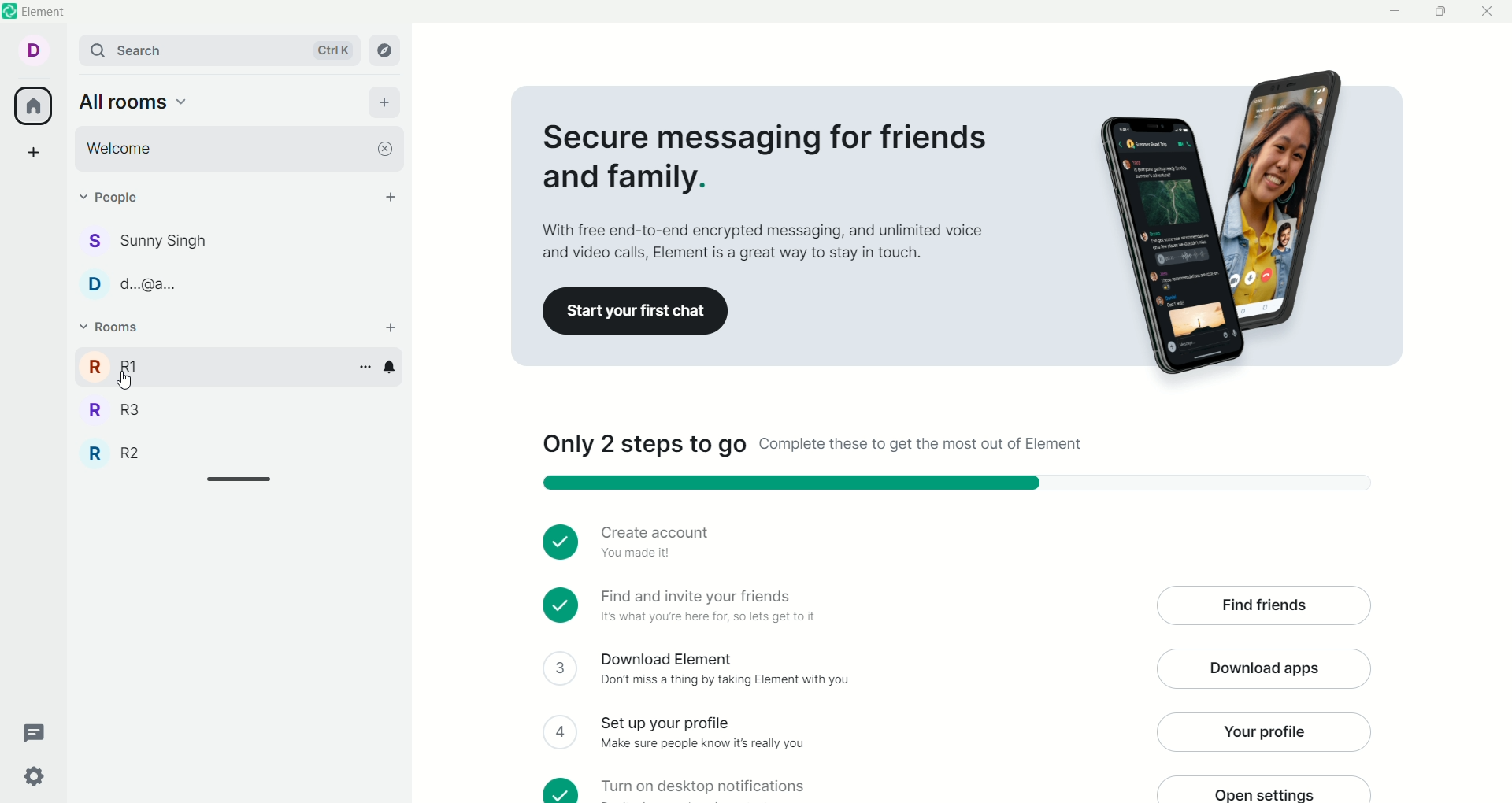  I want to click on Text, so click(813, 444).